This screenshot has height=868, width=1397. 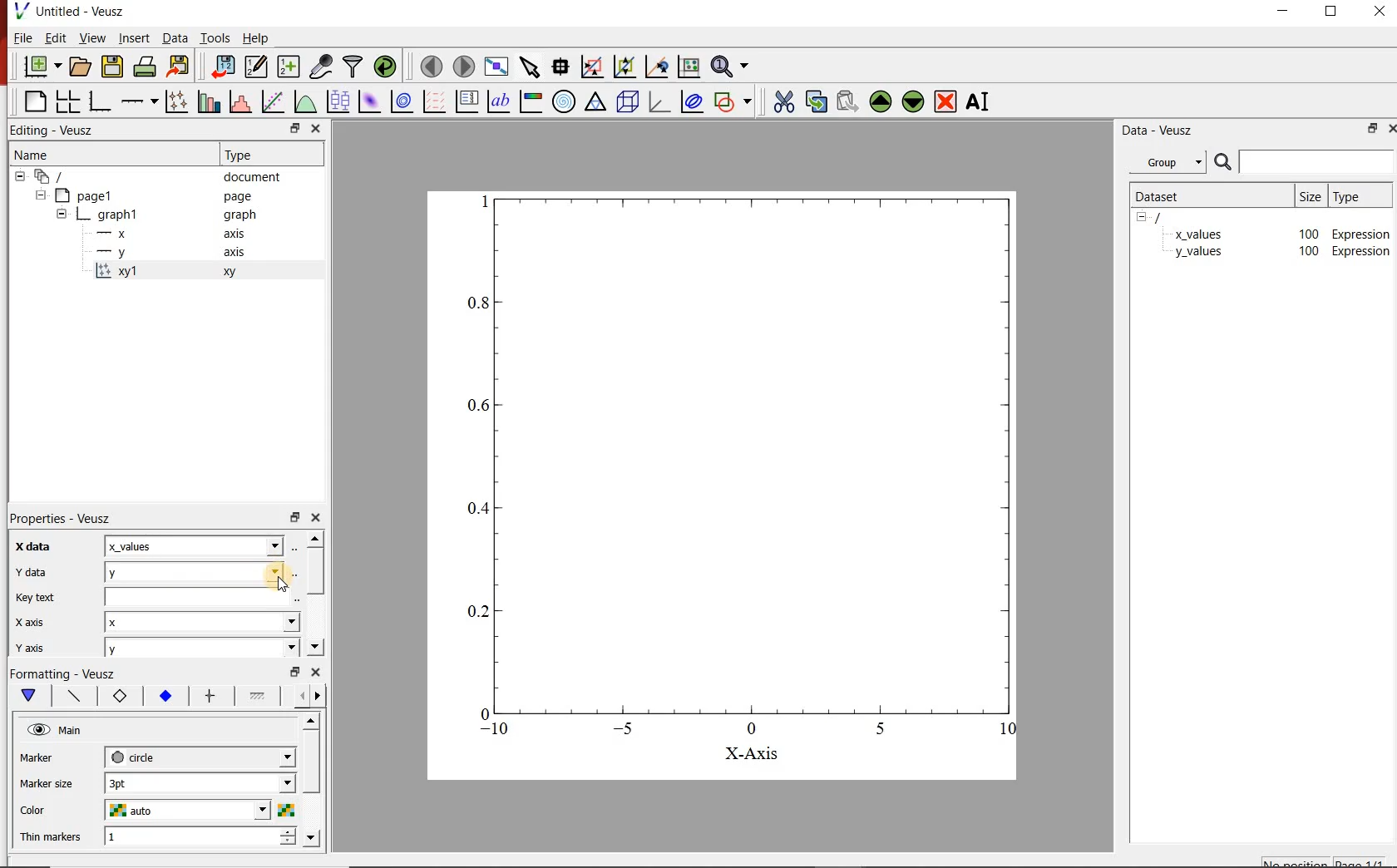 What do you see at coordinates (1382, 13) in the screenshot?
I see `close` at bounding box center [1382, 13].